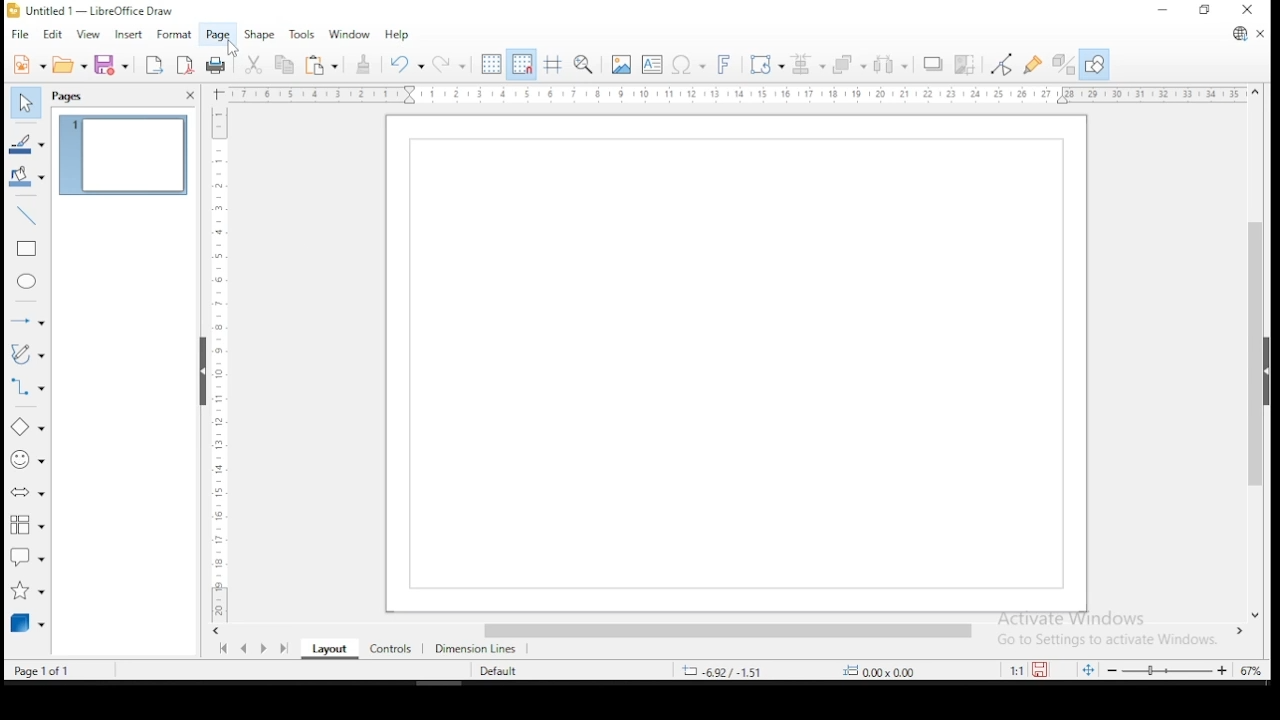 The height and width of the screenshot is (720, 1280). Describe the element at coordinates (480, 650) in the screenshot. I see `dimension lines` at that location.